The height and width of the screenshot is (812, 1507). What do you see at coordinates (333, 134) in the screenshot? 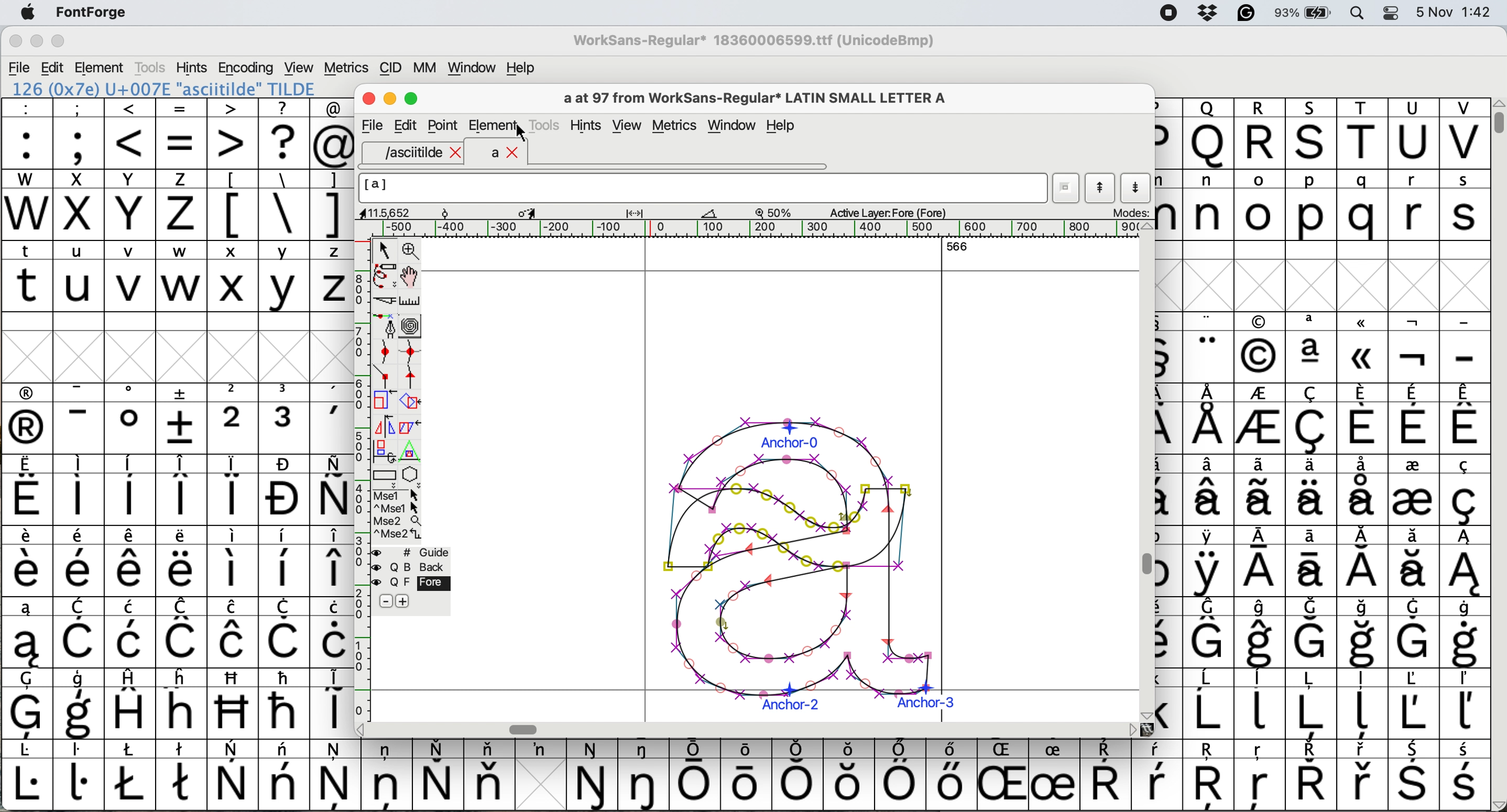
I see `@` at bounding box center [333, 134].